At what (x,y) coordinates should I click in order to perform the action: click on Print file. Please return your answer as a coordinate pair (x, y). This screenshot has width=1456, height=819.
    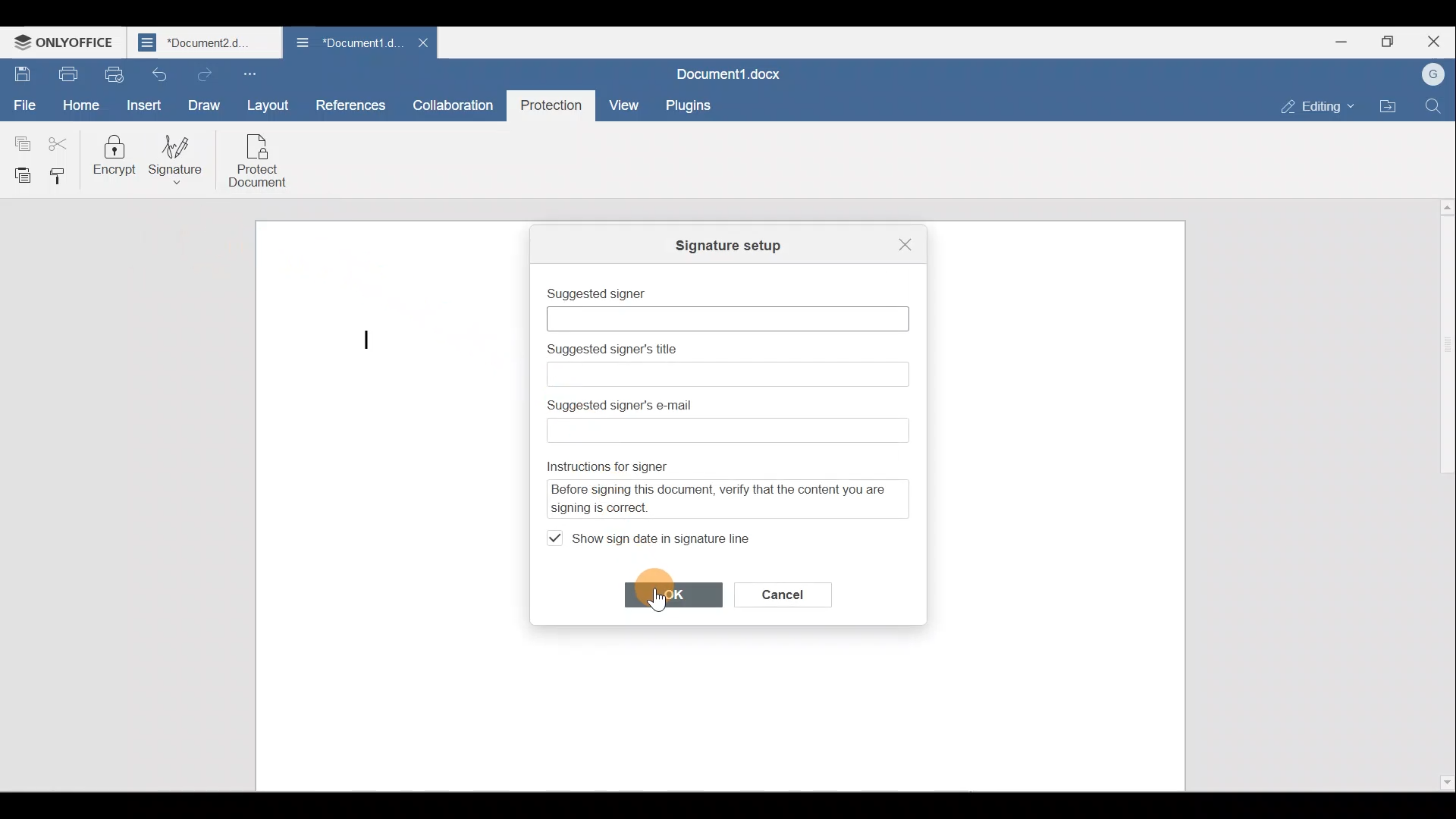
    Looking at the image, I should click on (67, 74).